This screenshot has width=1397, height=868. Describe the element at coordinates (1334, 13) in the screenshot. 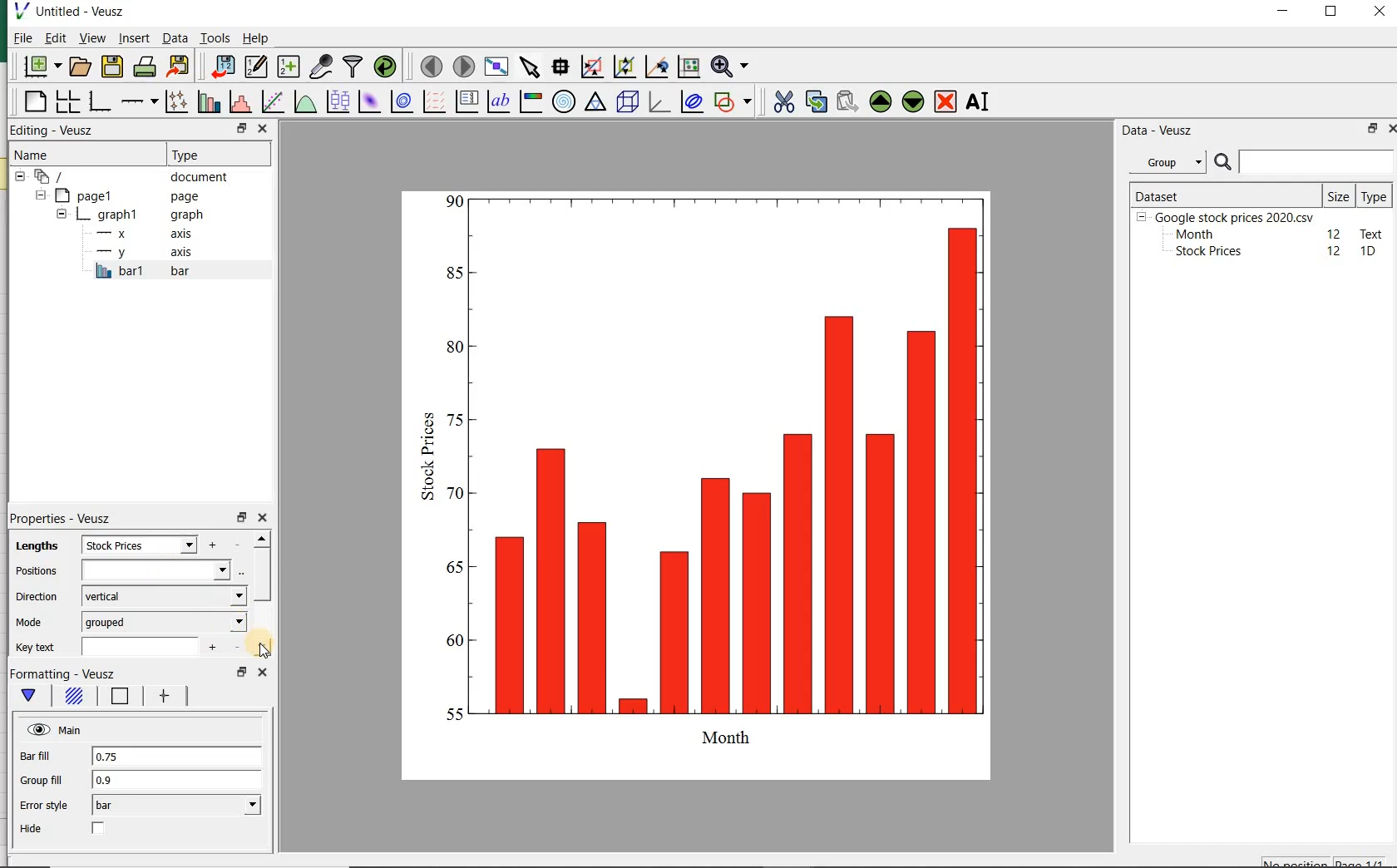

I see `maximize` at that location.